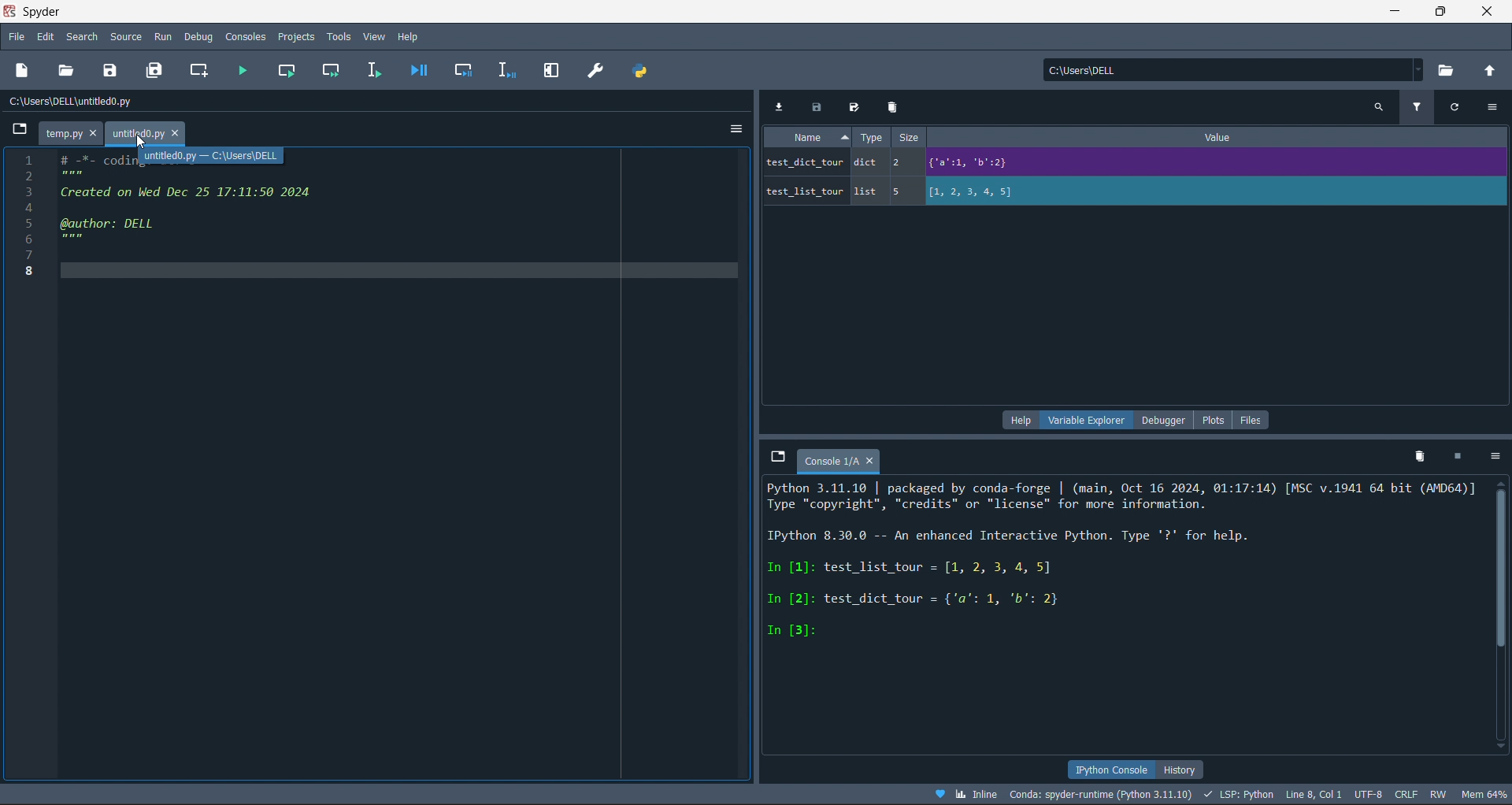 The height and width of the screenshot is (805, 1512). I want to click on remove all variables, so click(895, 106).